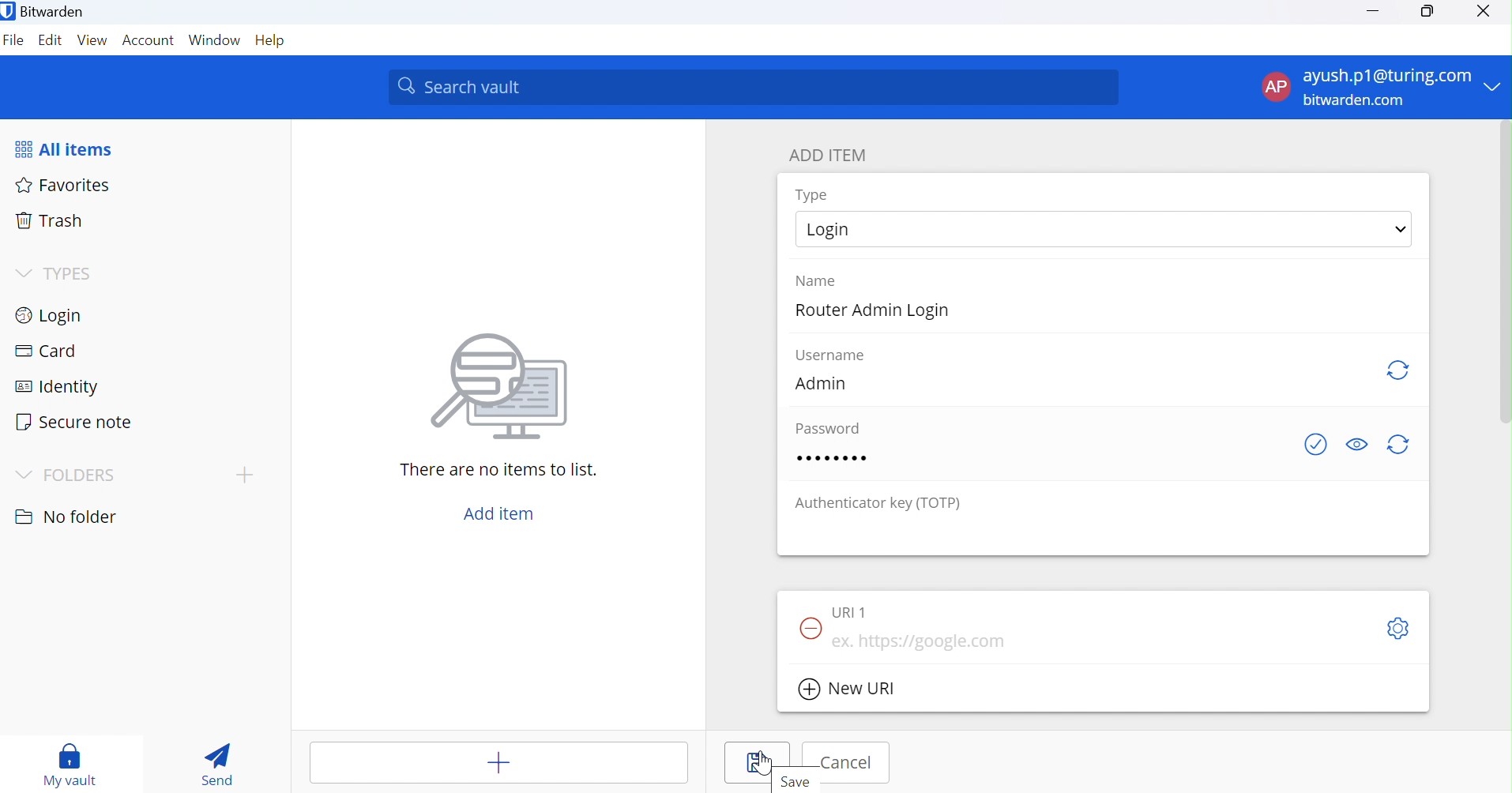  I want to click on No folder, so click(65, 513).